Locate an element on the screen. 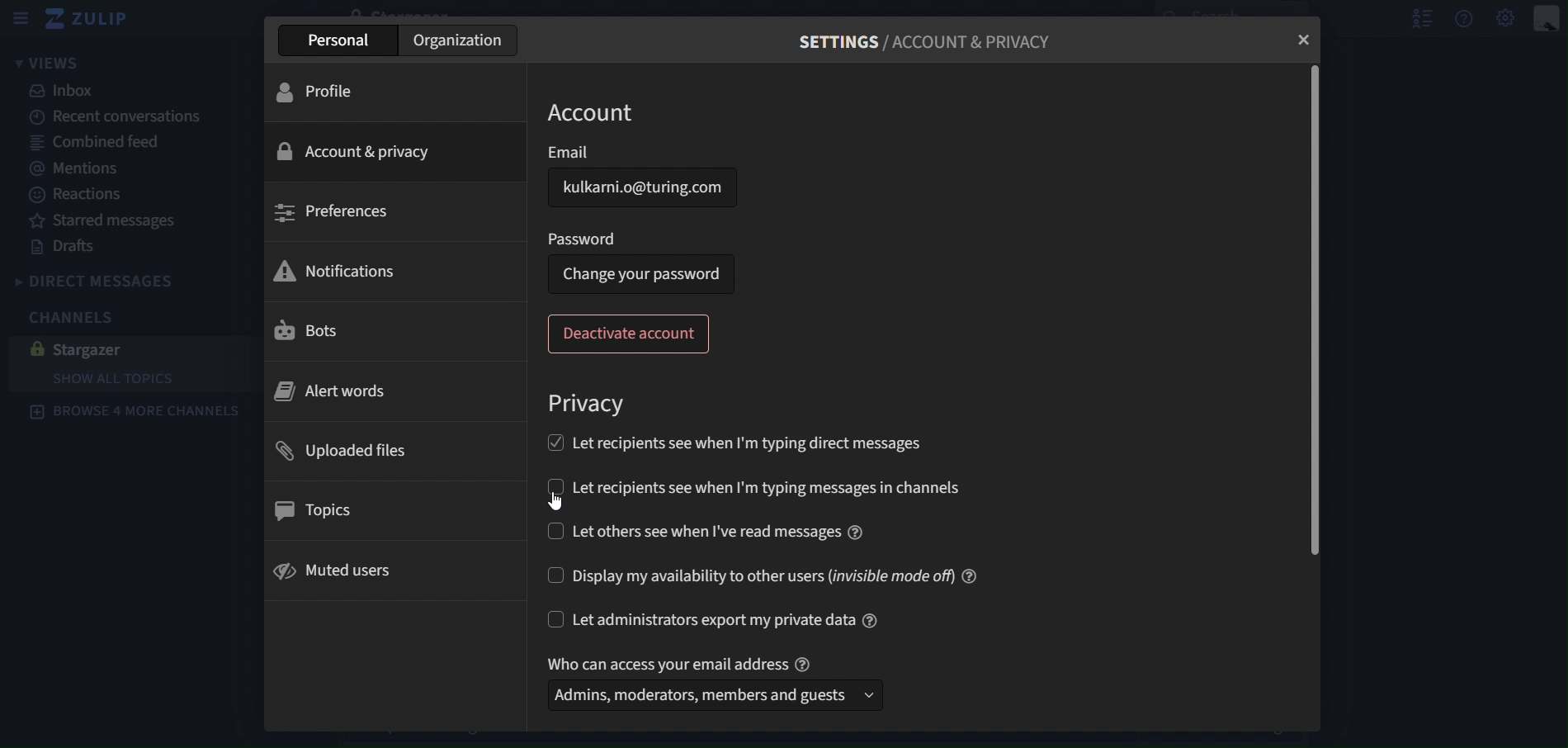 Image resolution: width=1568 pixels, height=748 pixels. starred messages is located at coordinates (117, 222).